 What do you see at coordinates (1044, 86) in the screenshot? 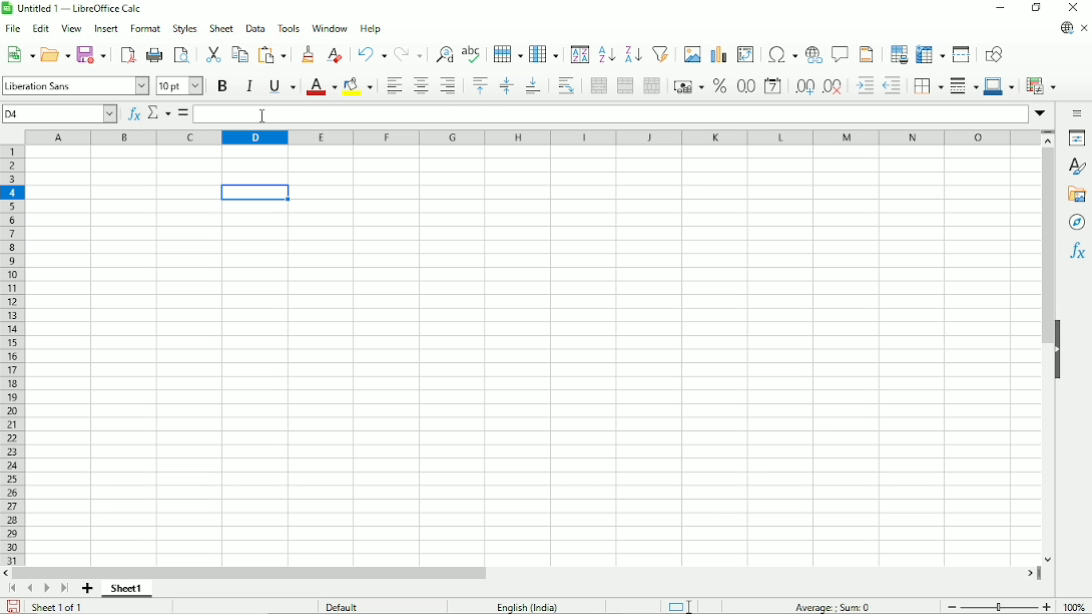
I see `Conditional` at bounding box center [1044, 86].